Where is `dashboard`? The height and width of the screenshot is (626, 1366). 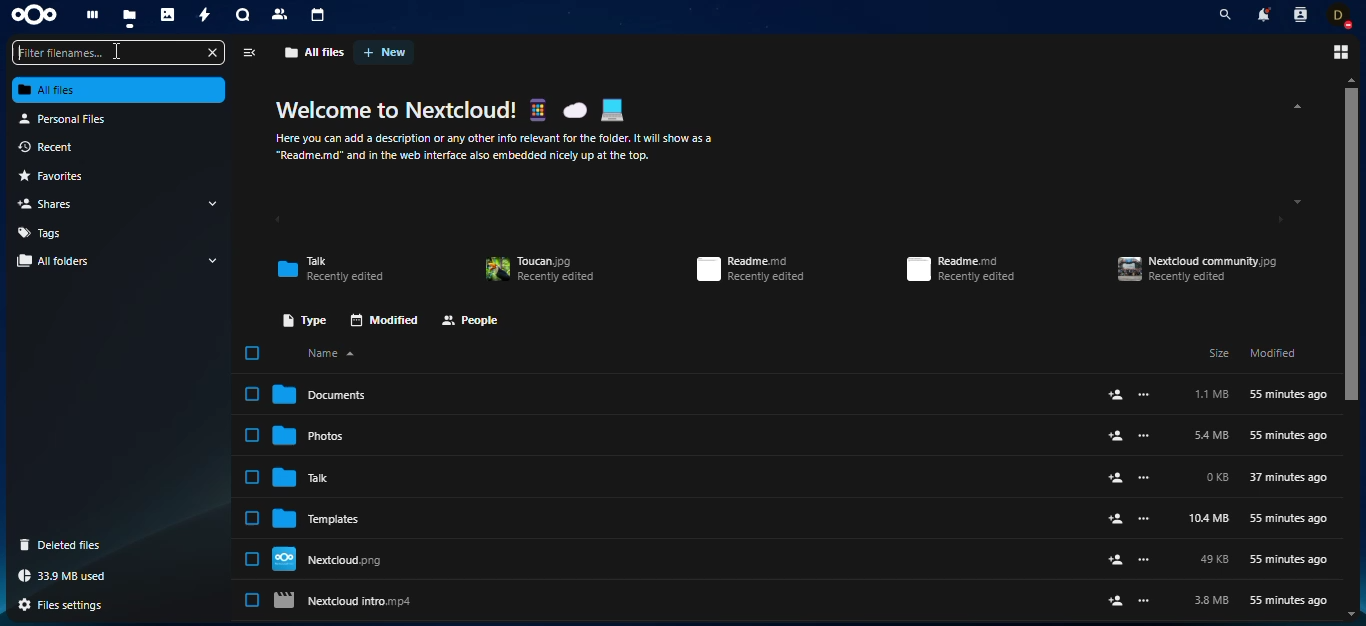
dashboard is located at coordinates (91, 16).